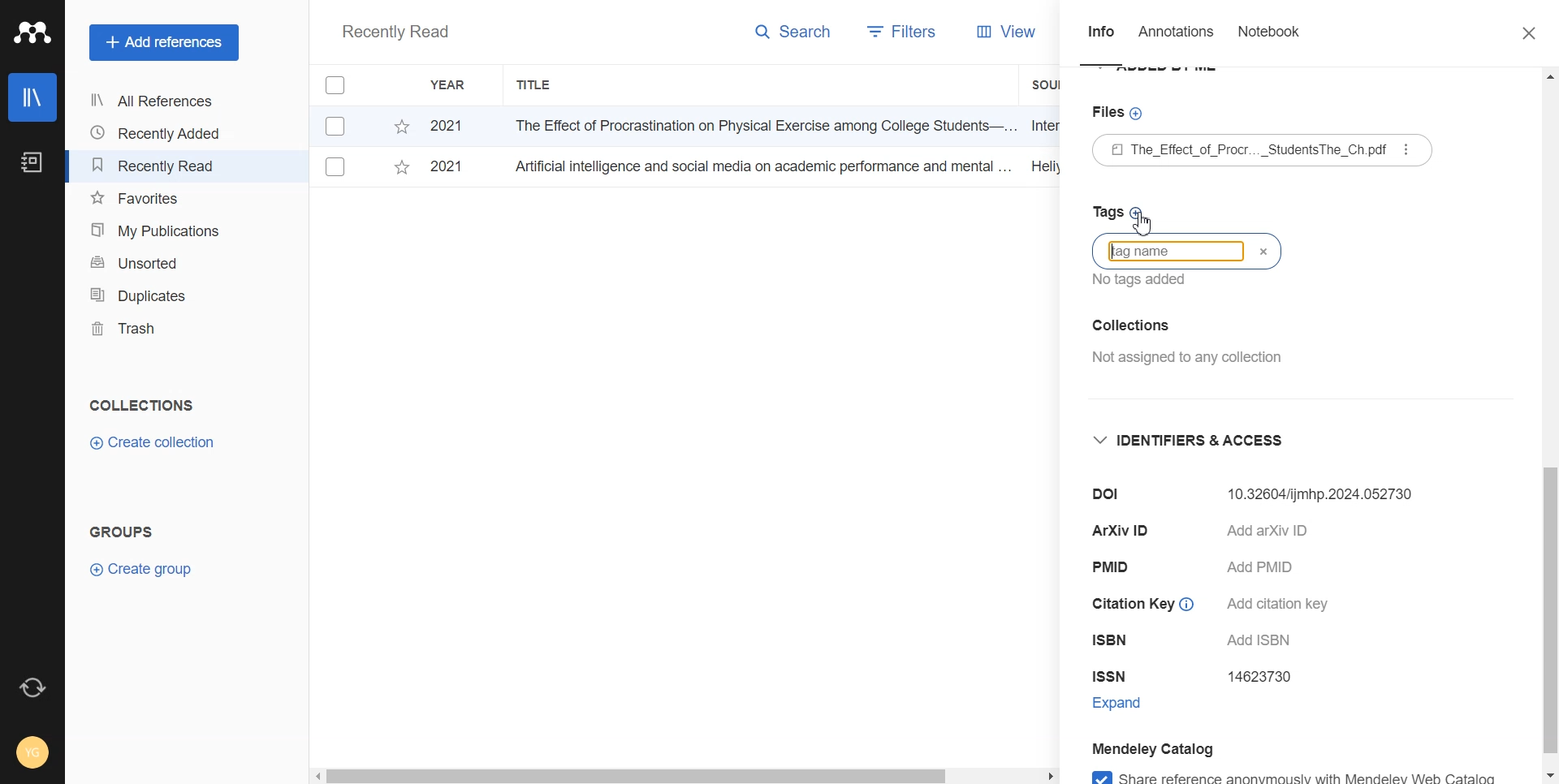 This screenshot has height=784, width=1559. I want to click on Collection  Not assigned to any collection, so click(1184, 338).